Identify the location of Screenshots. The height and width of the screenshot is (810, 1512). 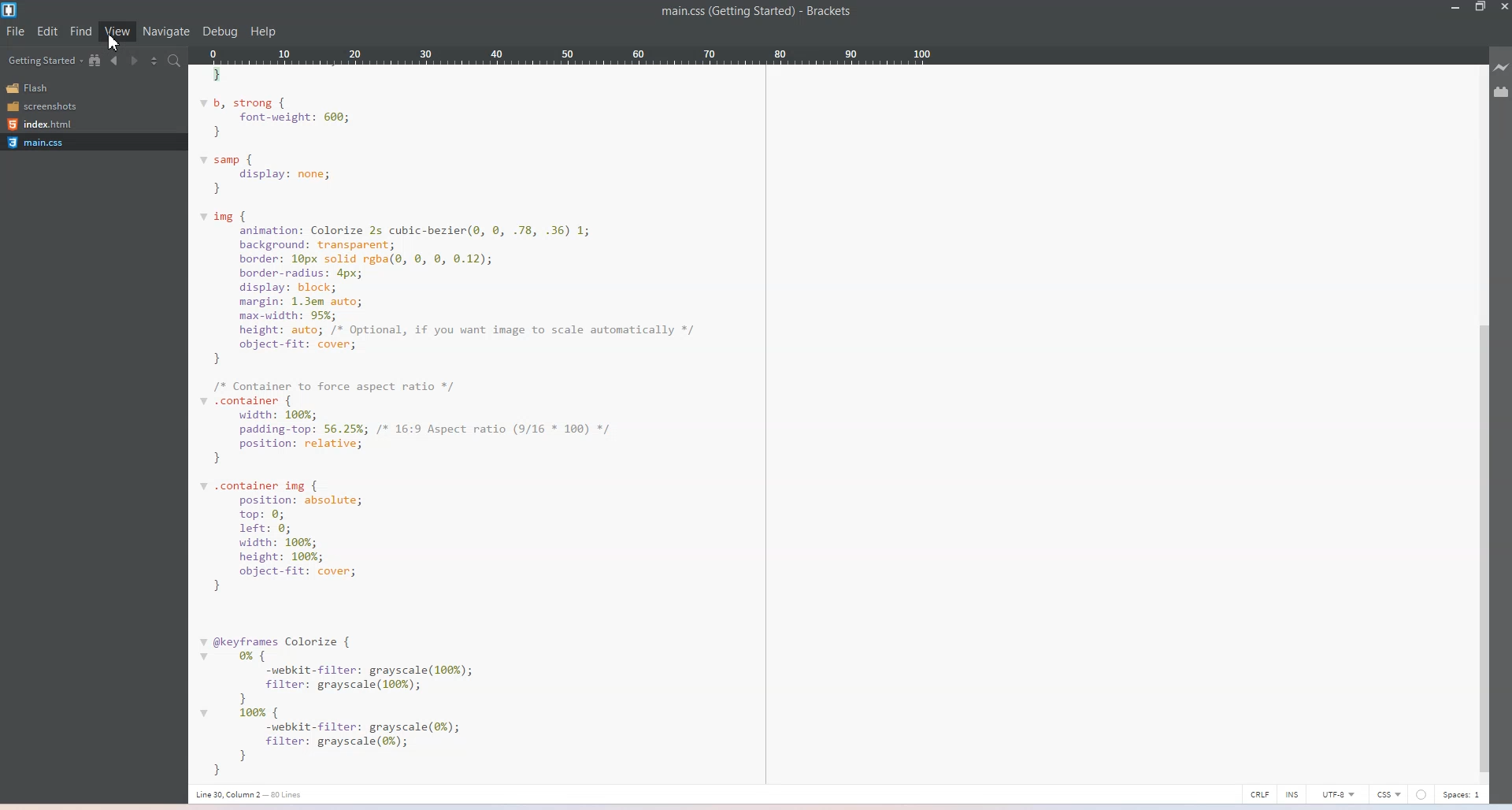
(47, 106).